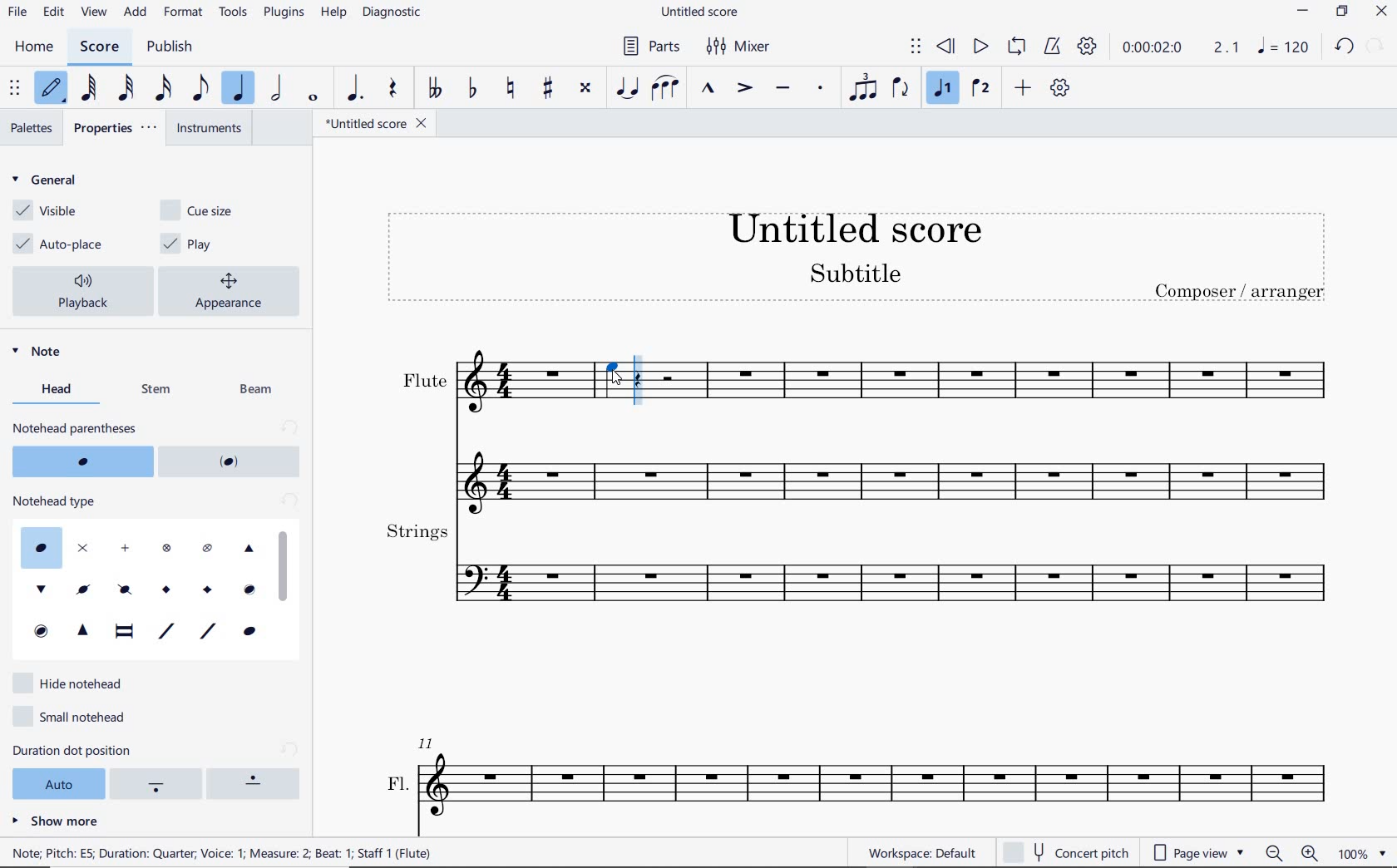  Describe the element at coordinates (199, 90) in the screenshot. I see `EIGHTH NOTE` at that location.